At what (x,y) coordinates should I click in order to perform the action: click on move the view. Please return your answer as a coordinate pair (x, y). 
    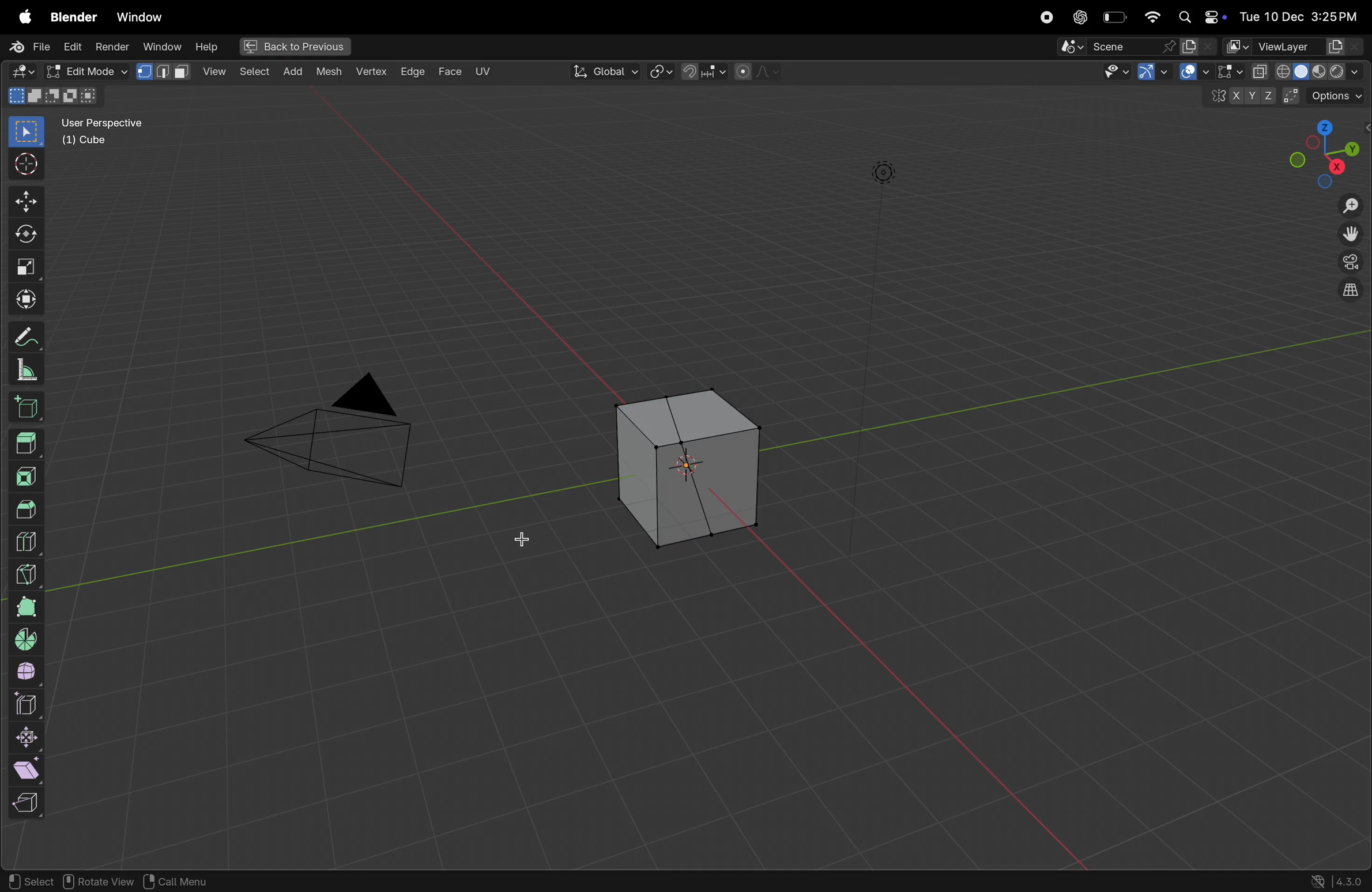
    Looking at the image, I should click on (1351, 235).